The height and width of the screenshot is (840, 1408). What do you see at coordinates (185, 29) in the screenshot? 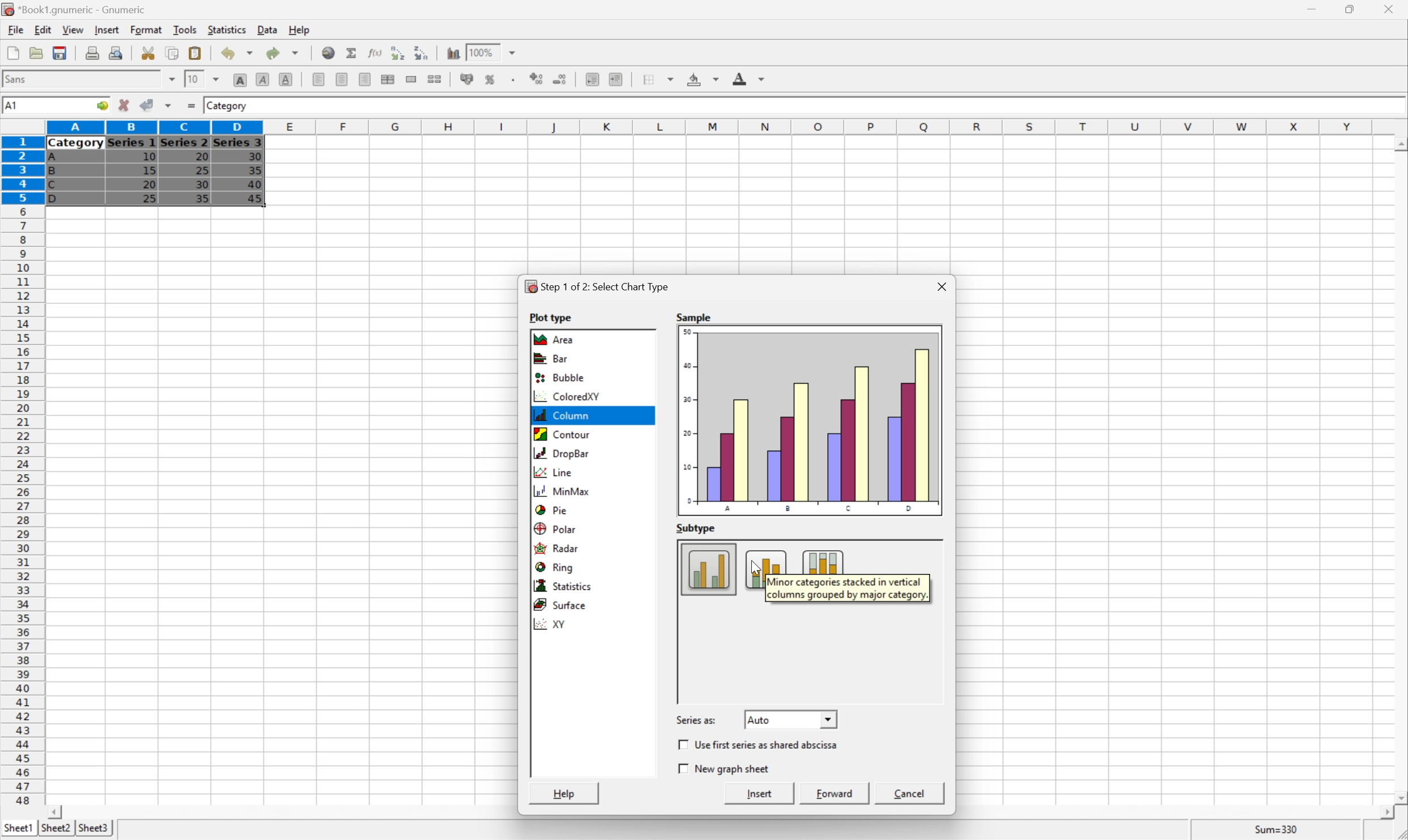
I see `Tools` at bounding box center [185, 29].